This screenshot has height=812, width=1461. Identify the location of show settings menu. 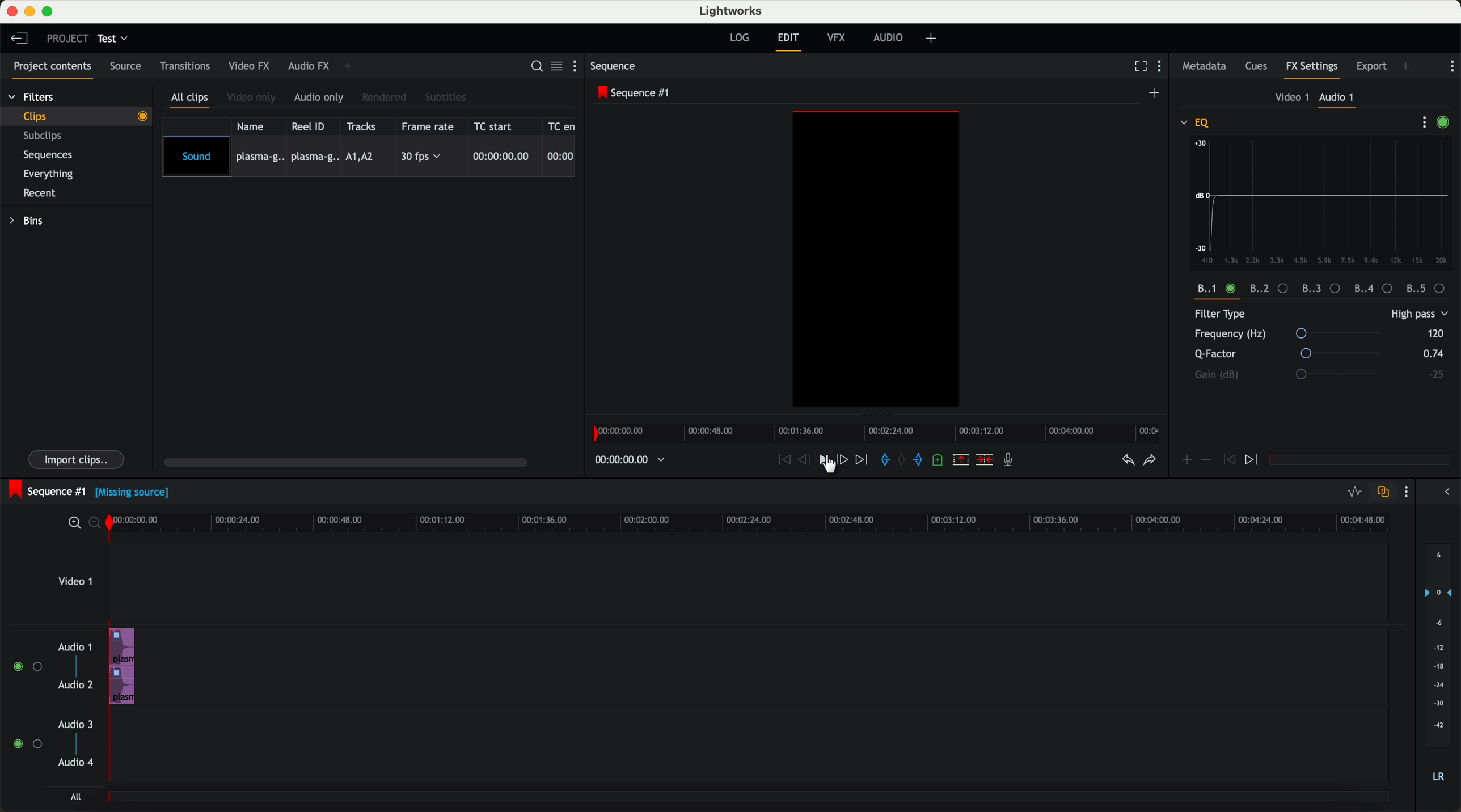
(577, 68).